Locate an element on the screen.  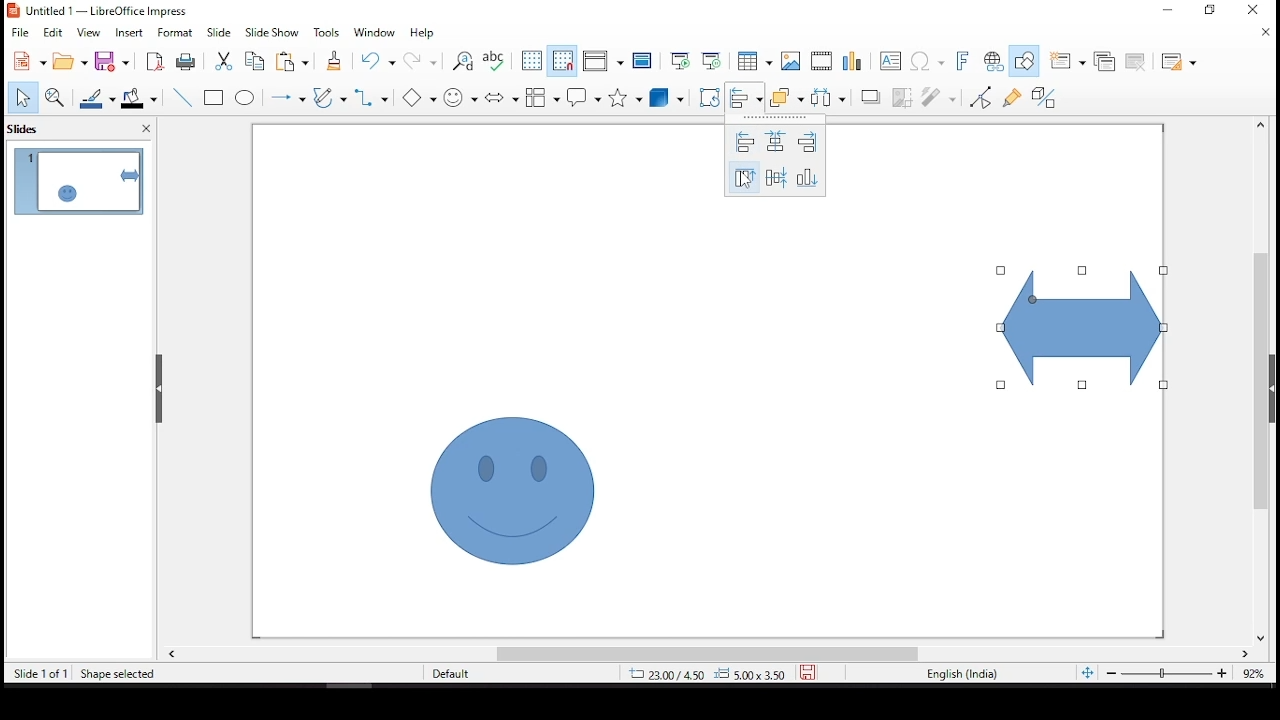
middle is located at coordinates (776, 177).